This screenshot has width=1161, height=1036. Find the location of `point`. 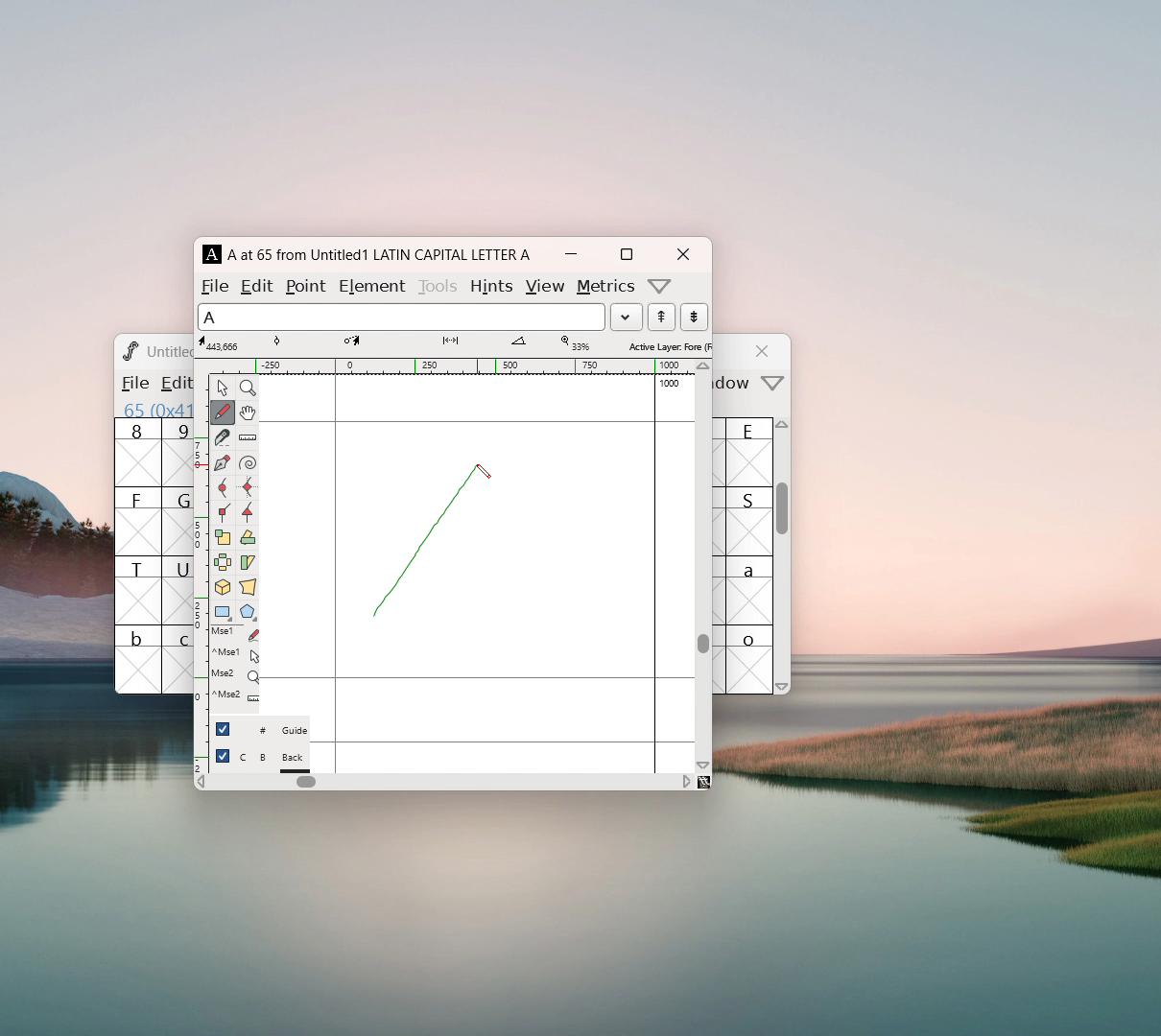

point is located at coordinates (308, 286).